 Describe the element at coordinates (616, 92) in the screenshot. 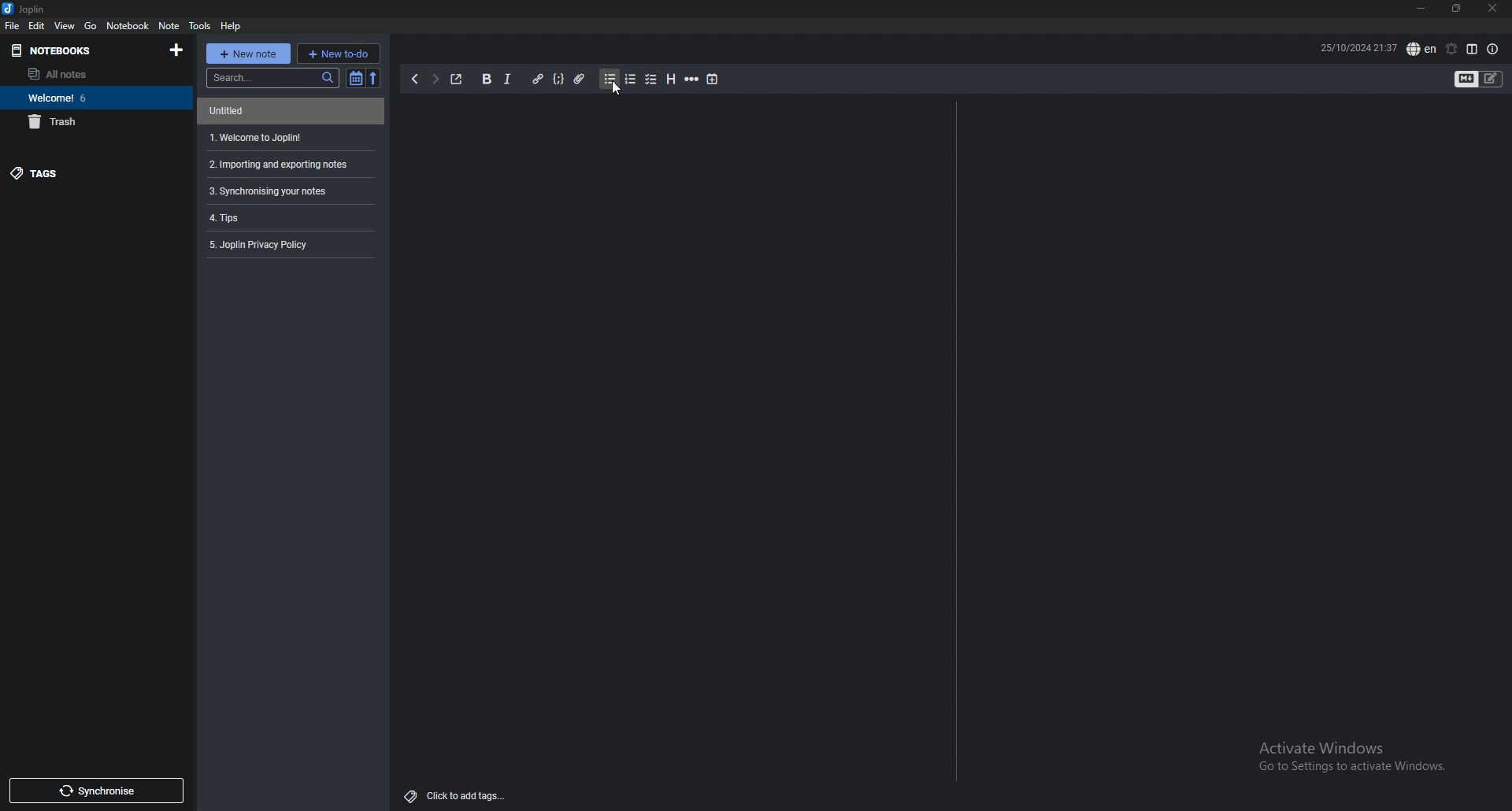

I see `cursor` at that location.